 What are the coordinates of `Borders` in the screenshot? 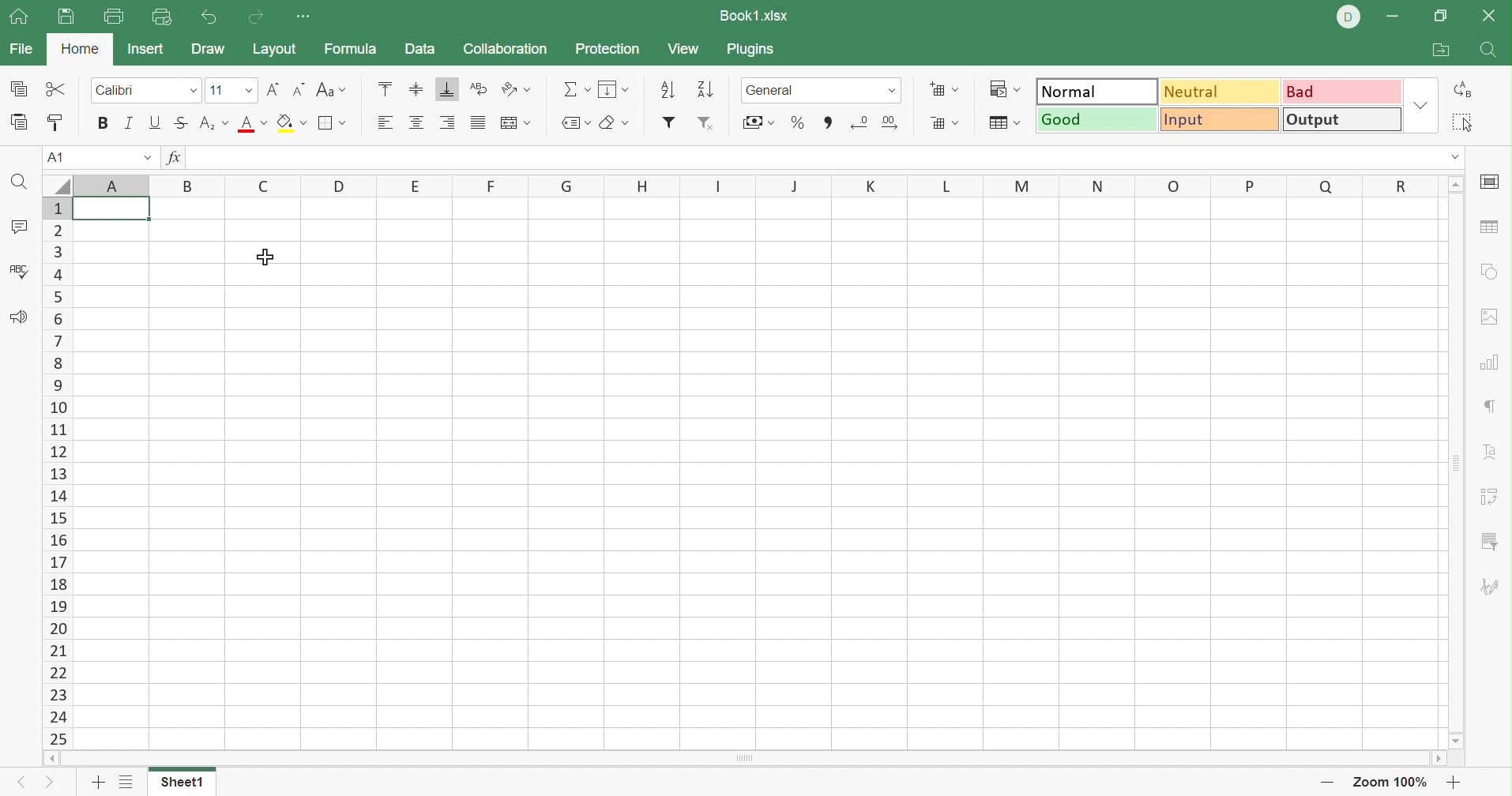 It's located at (332, 125).